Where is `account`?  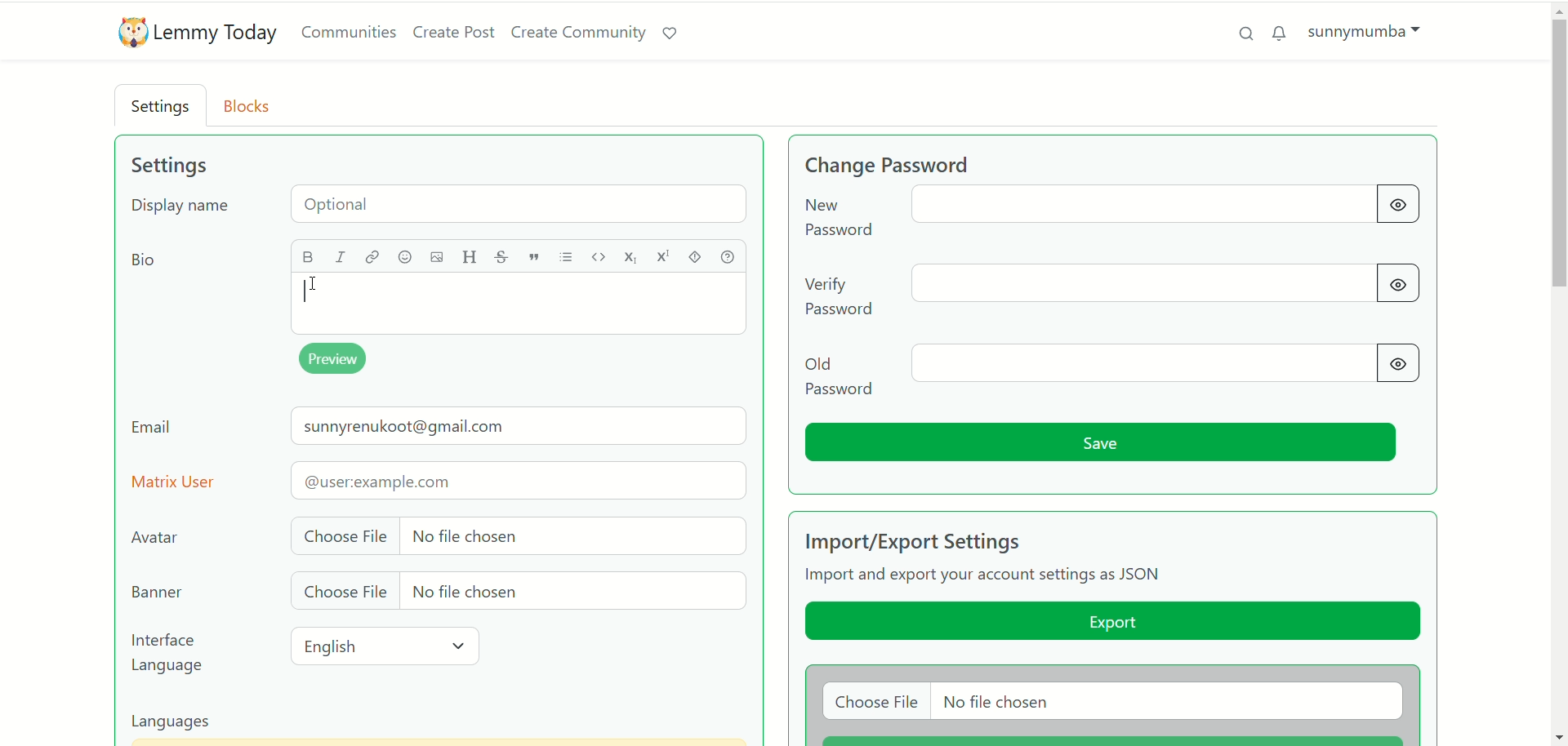
account is located at coordinates (1365, 30).